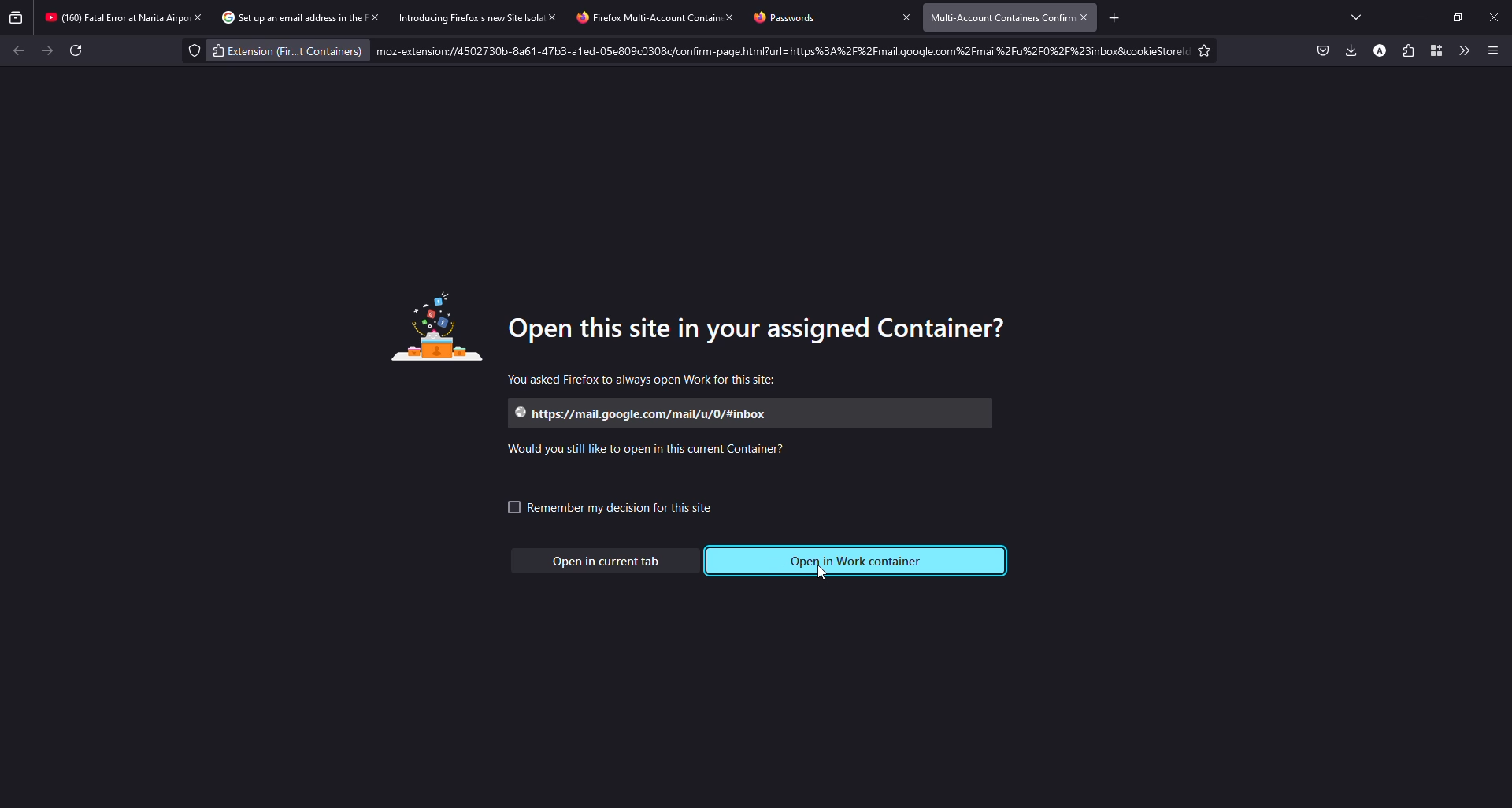 The image size is (1512, 808). I want to click on close, so click(1085, 17).